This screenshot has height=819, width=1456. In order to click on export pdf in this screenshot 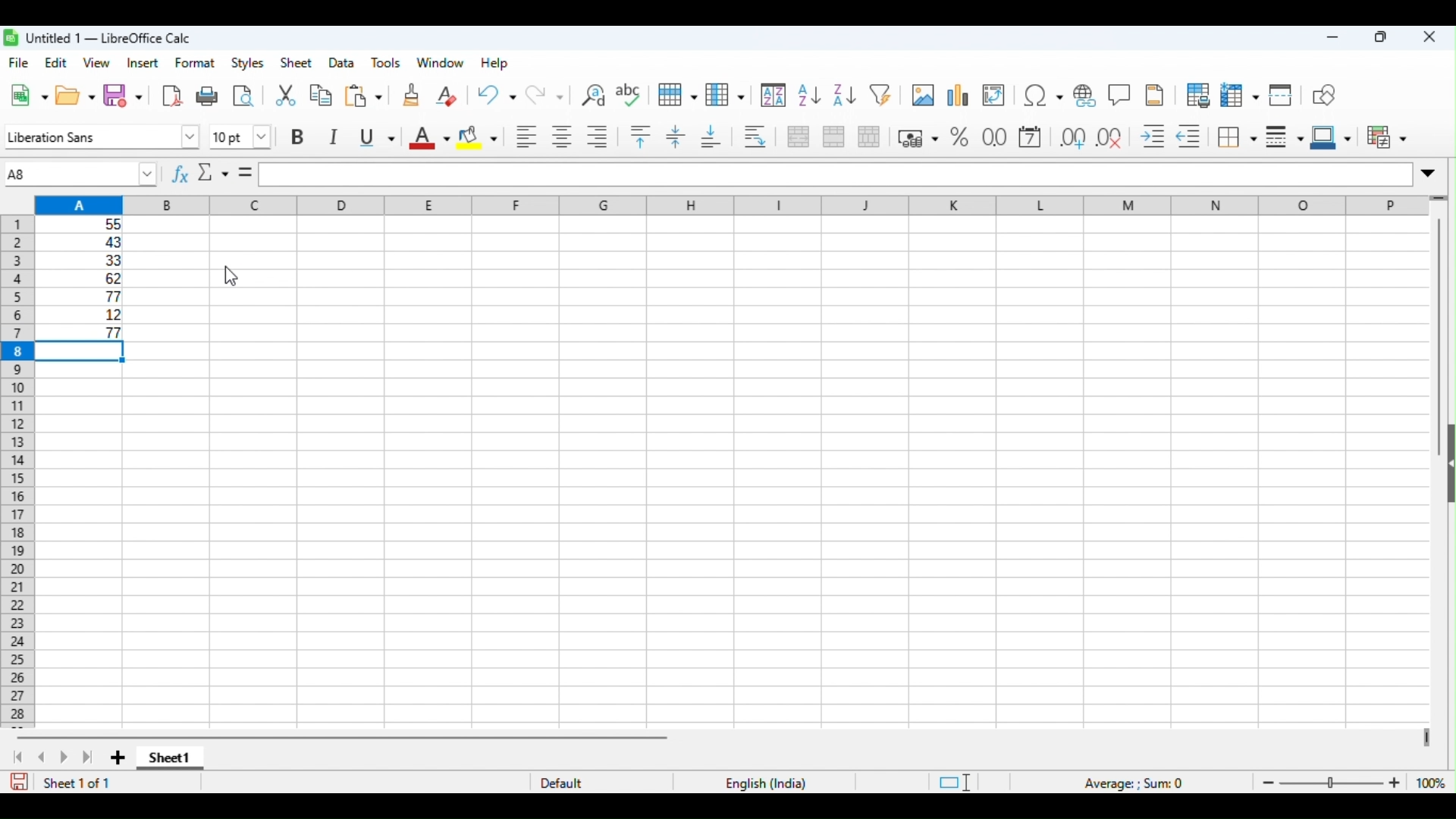, I will do `click(170, 96)`.